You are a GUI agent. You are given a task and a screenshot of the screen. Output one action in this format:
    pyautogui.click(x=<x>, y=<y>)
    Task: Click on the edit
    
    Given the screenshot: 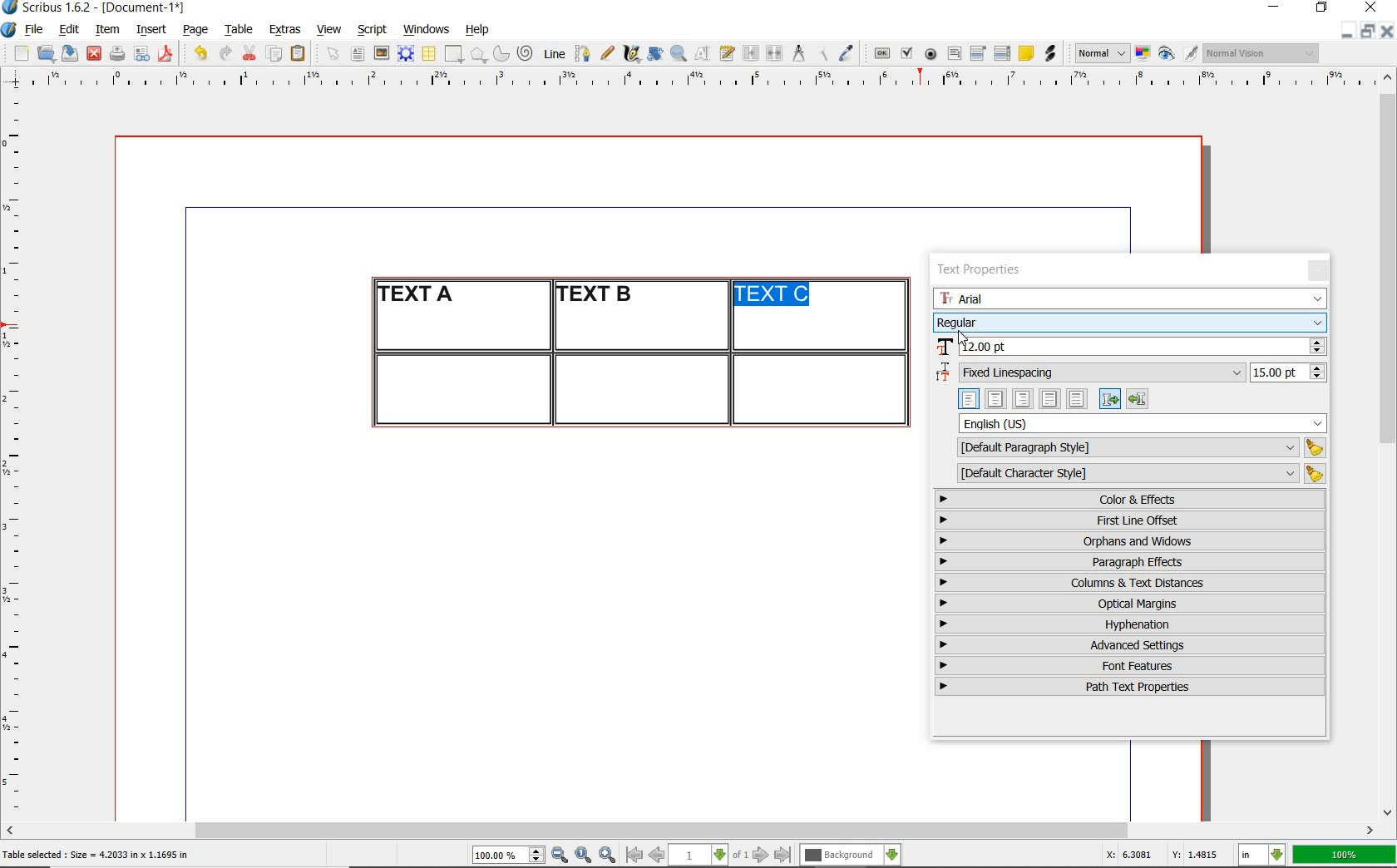 What is the action you would take?
    pyautogui.click(x=70, y=29)
    